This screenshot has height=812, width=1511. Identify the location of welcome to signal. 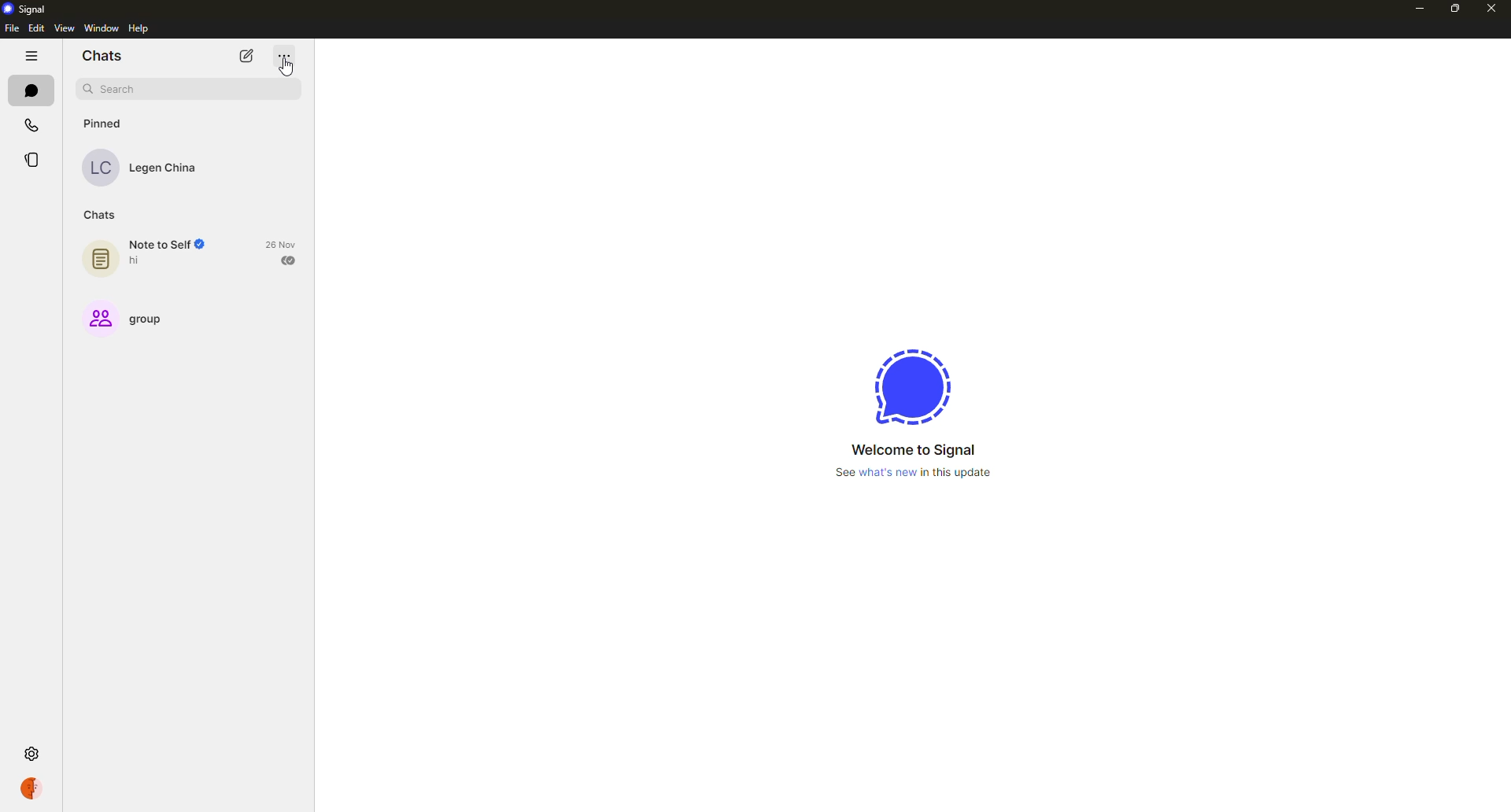
(914, 449).